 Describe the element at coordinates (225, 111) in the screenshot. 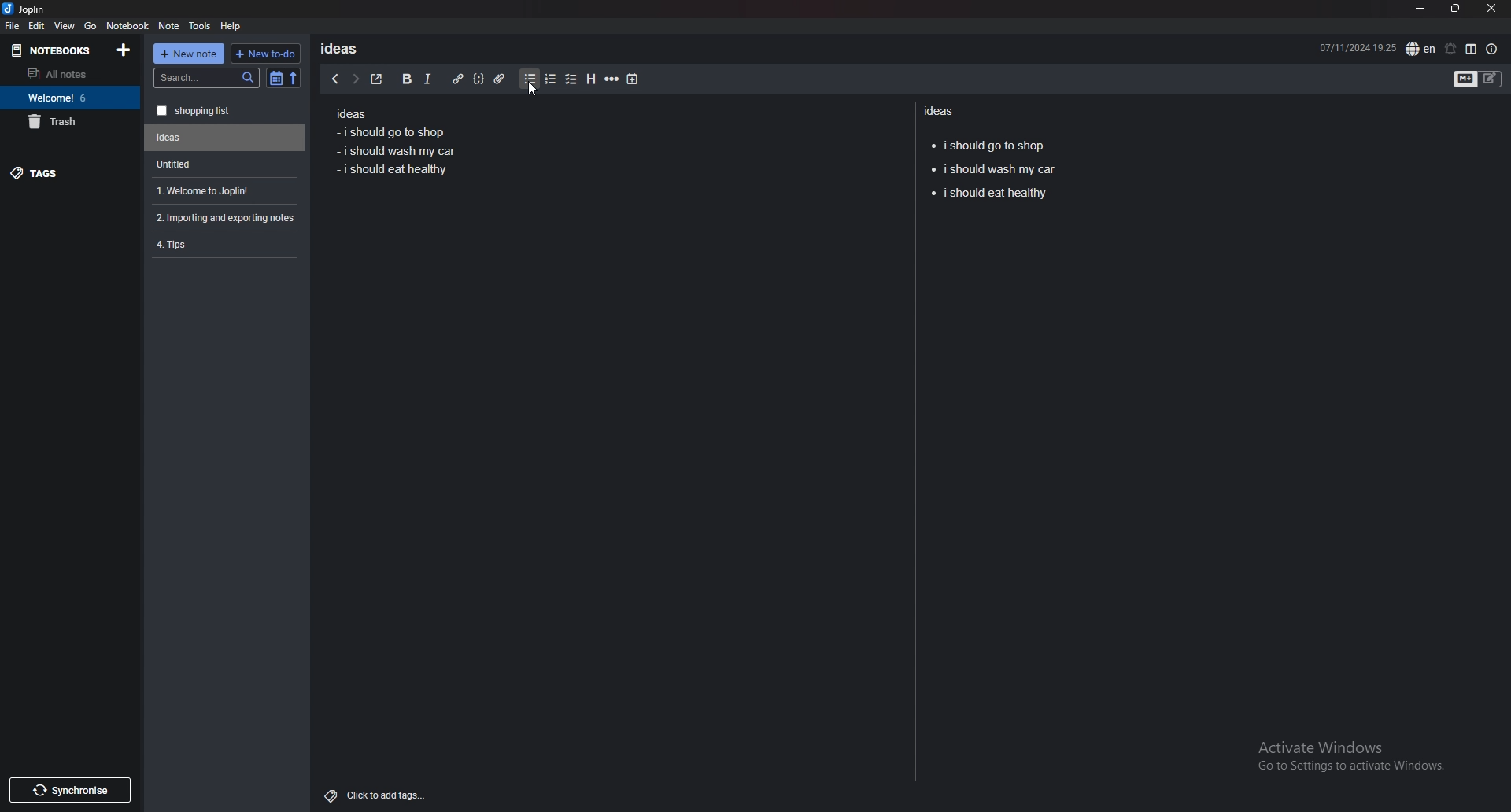

I see `shopping list` at that location.